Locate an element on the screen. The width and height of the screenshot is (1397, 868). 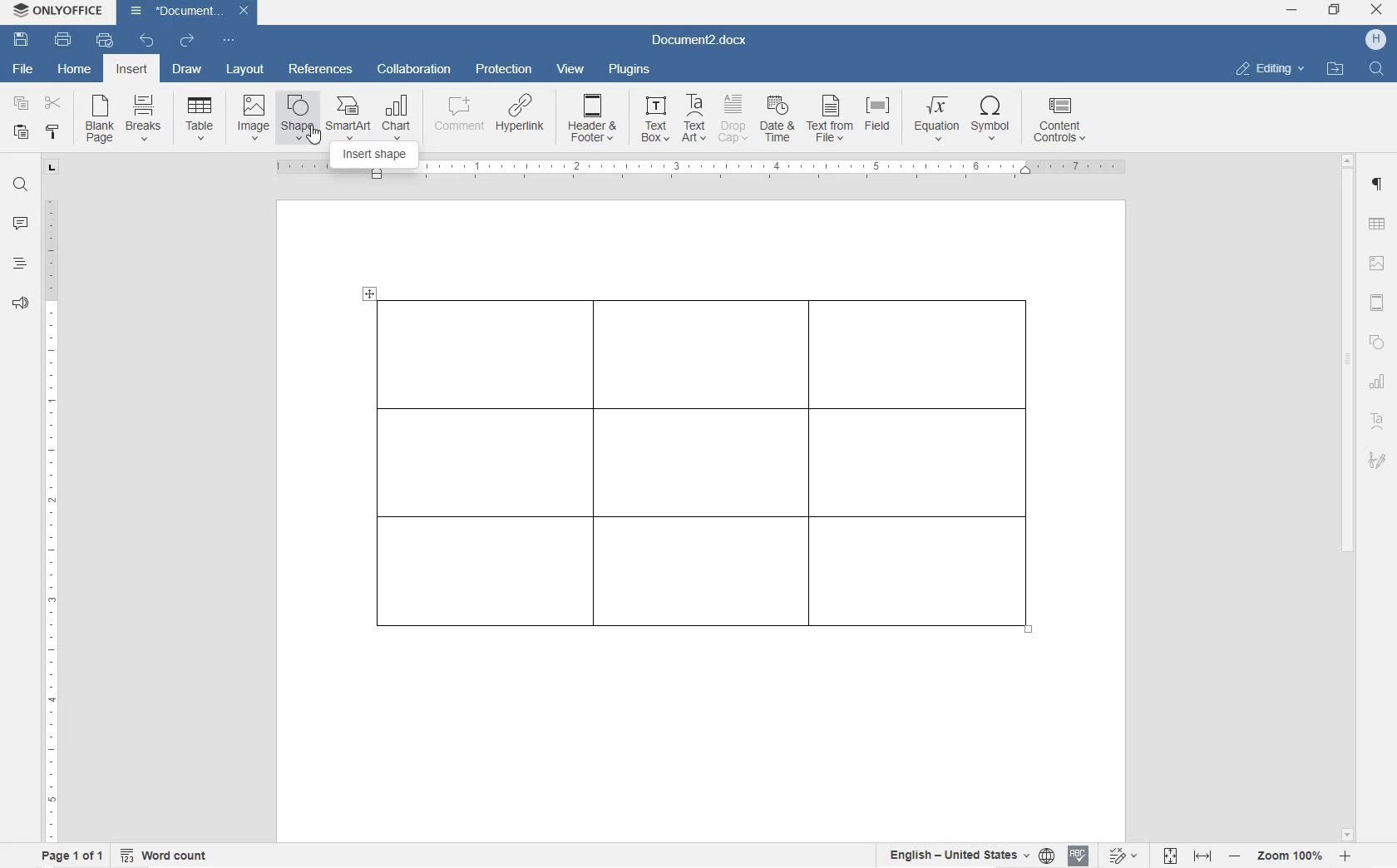
customize quick access toolbar is located at coordinates (228, 40).